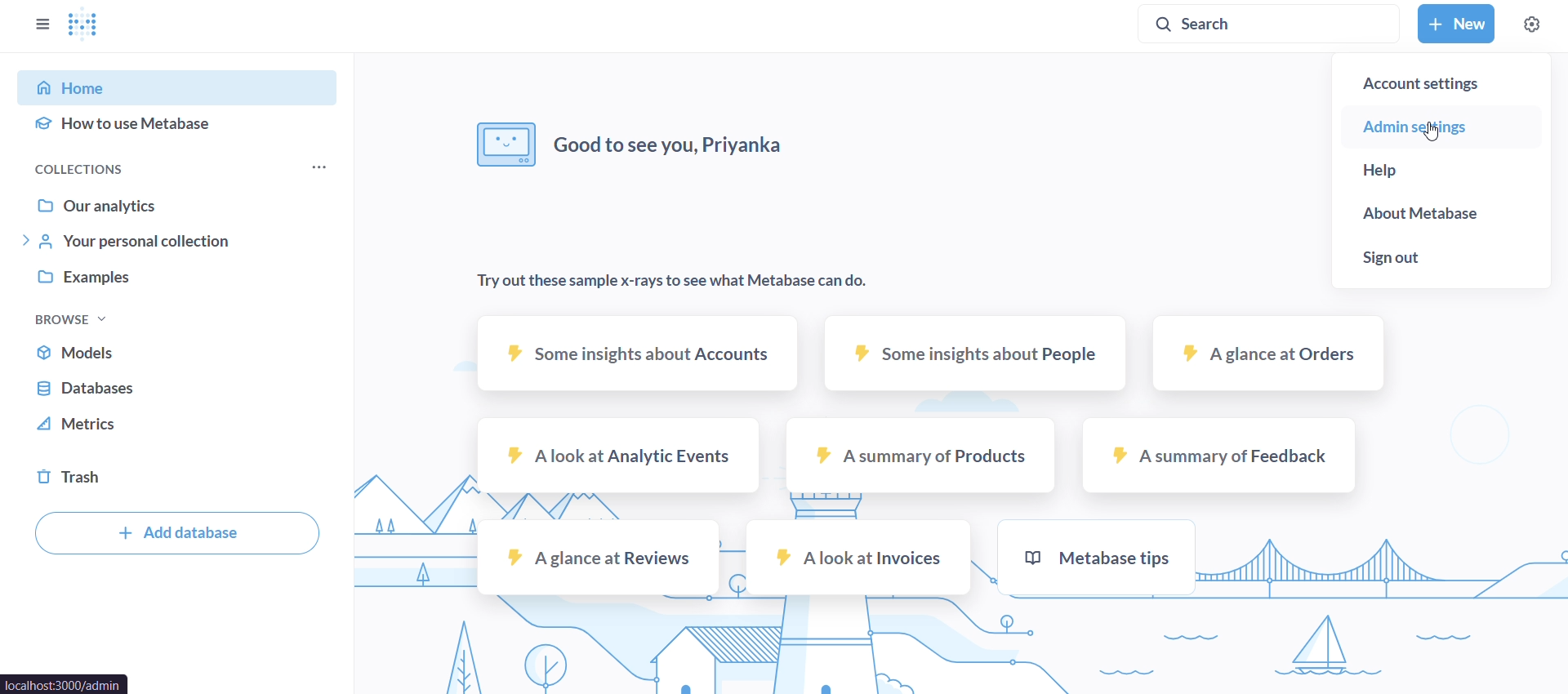  I want to click on cursor, so click(1429, 132).